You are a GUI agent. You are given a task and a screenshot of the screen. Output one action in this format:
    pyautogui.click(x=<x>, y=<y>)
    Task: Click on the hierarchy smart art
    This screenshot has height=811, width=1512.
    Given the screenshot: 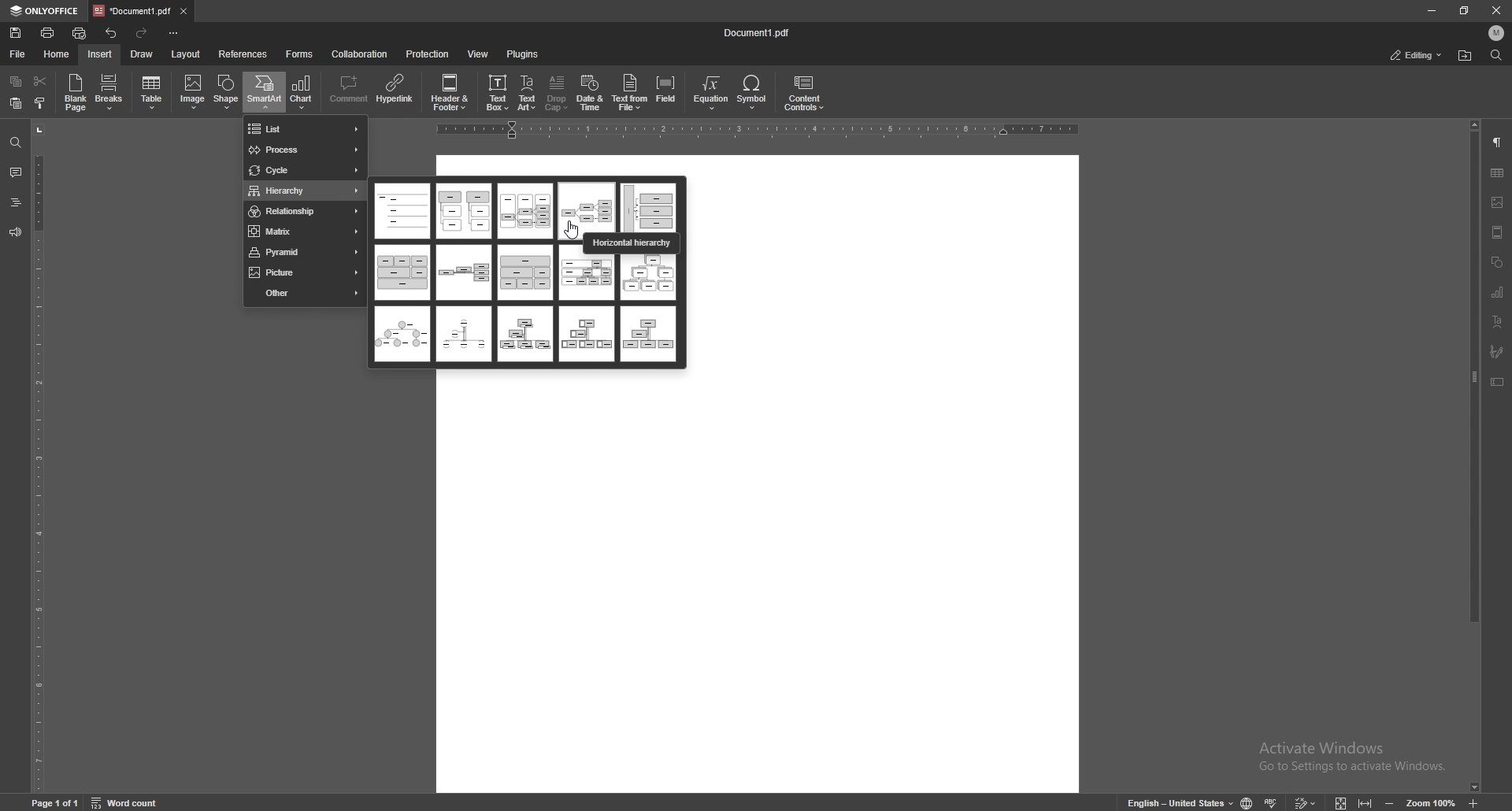 What is the action you would take?
    pyautogui.click(x=647, y=335)
    